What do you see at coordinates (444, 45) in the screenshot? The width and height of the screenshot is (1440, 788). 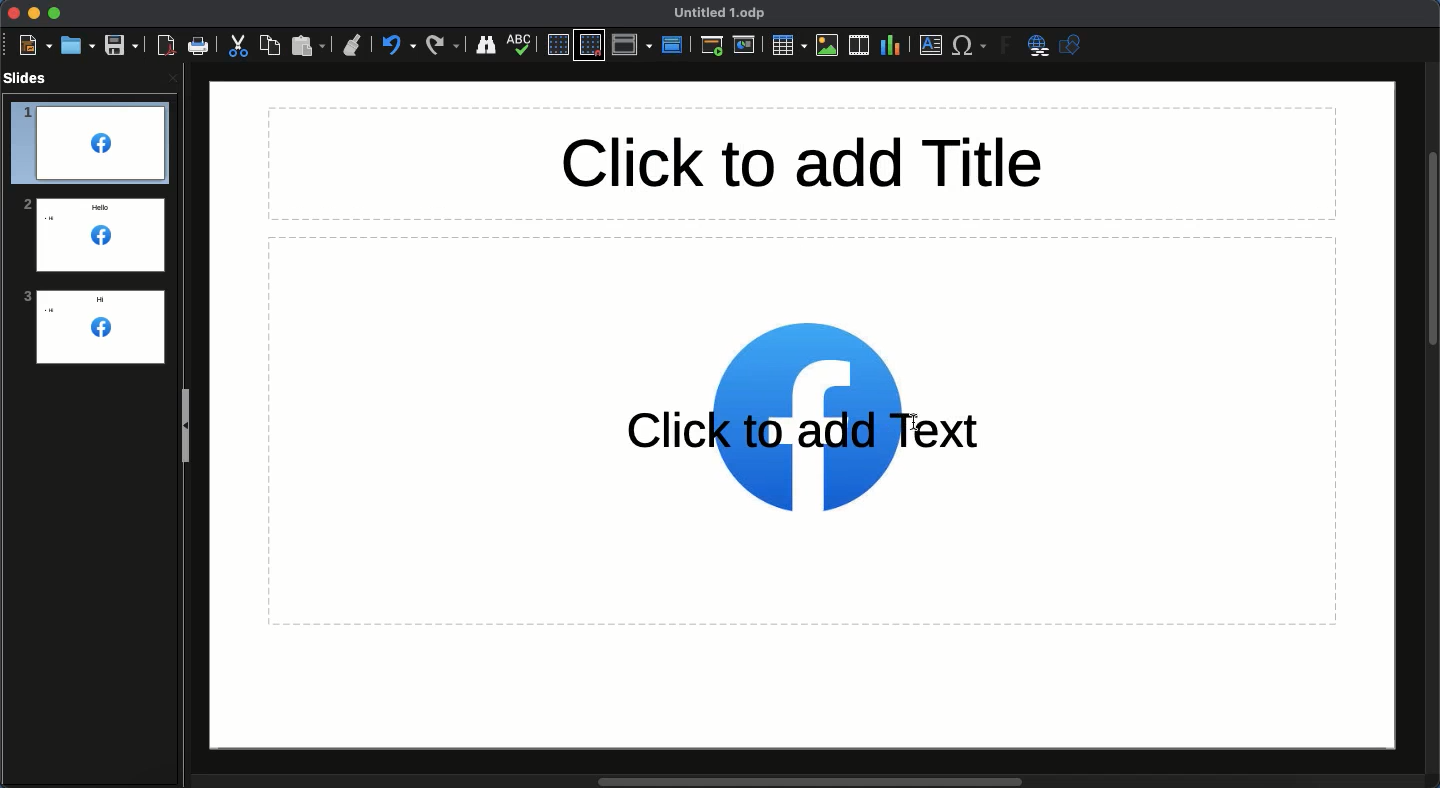 I see `Redo` at bounding box center [444, 45].